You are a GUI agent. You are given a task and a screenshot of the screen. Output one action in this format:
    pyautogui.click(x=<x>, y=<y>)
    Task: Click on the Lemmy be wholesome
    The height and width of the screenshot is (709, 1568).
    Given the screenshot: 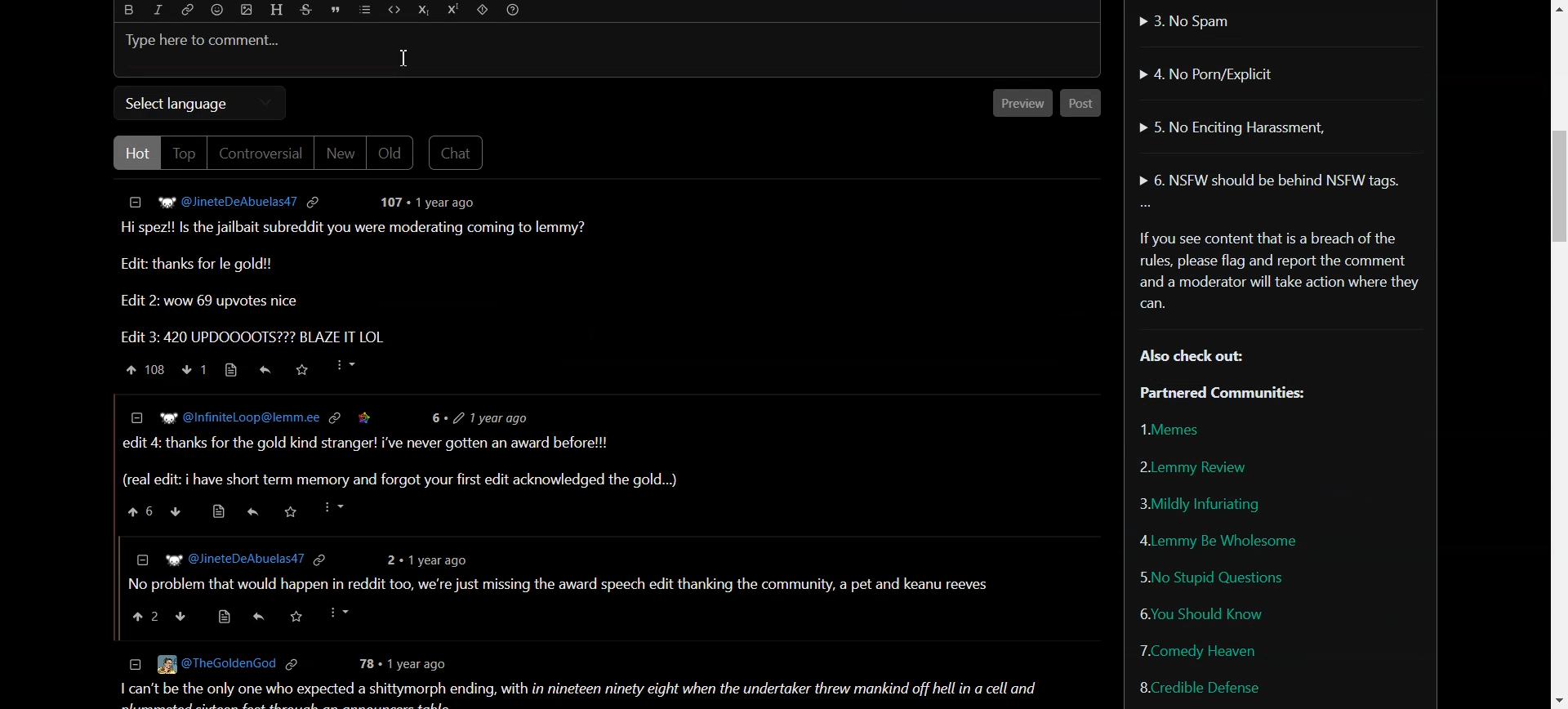 What is the action you would take?
    pyautogui.click(x=1223, y=541)
    